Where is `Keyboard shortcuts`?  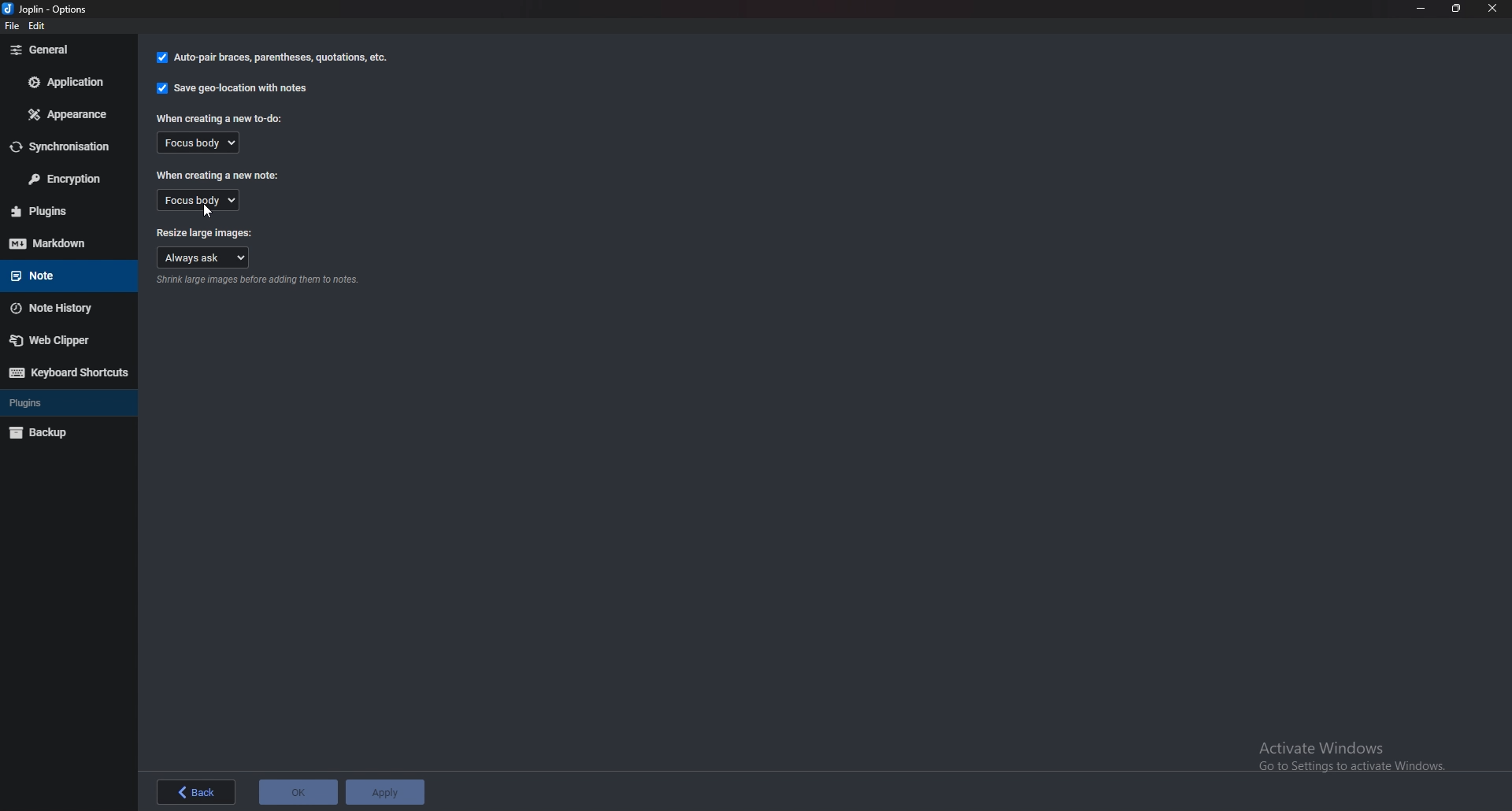 Keyboard shortcuts is located at coordinates (67, 372).